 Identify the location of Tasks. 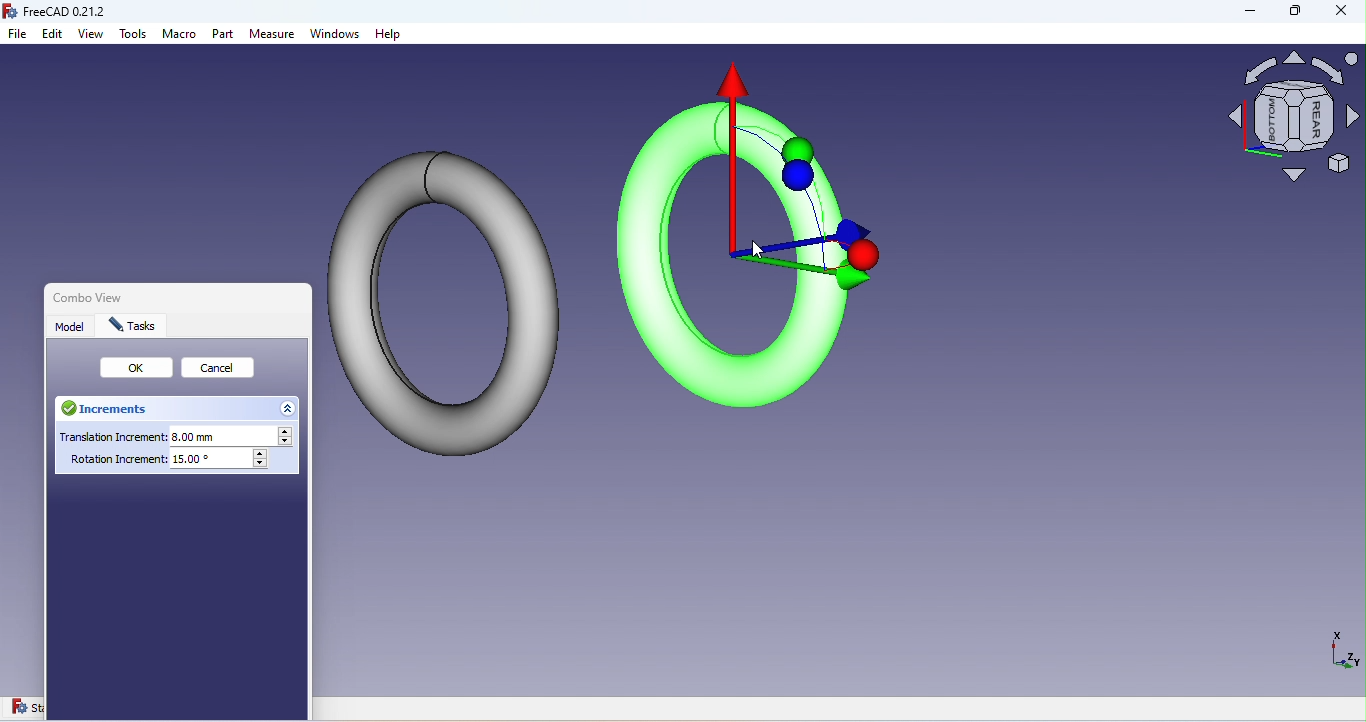
(134, 326).